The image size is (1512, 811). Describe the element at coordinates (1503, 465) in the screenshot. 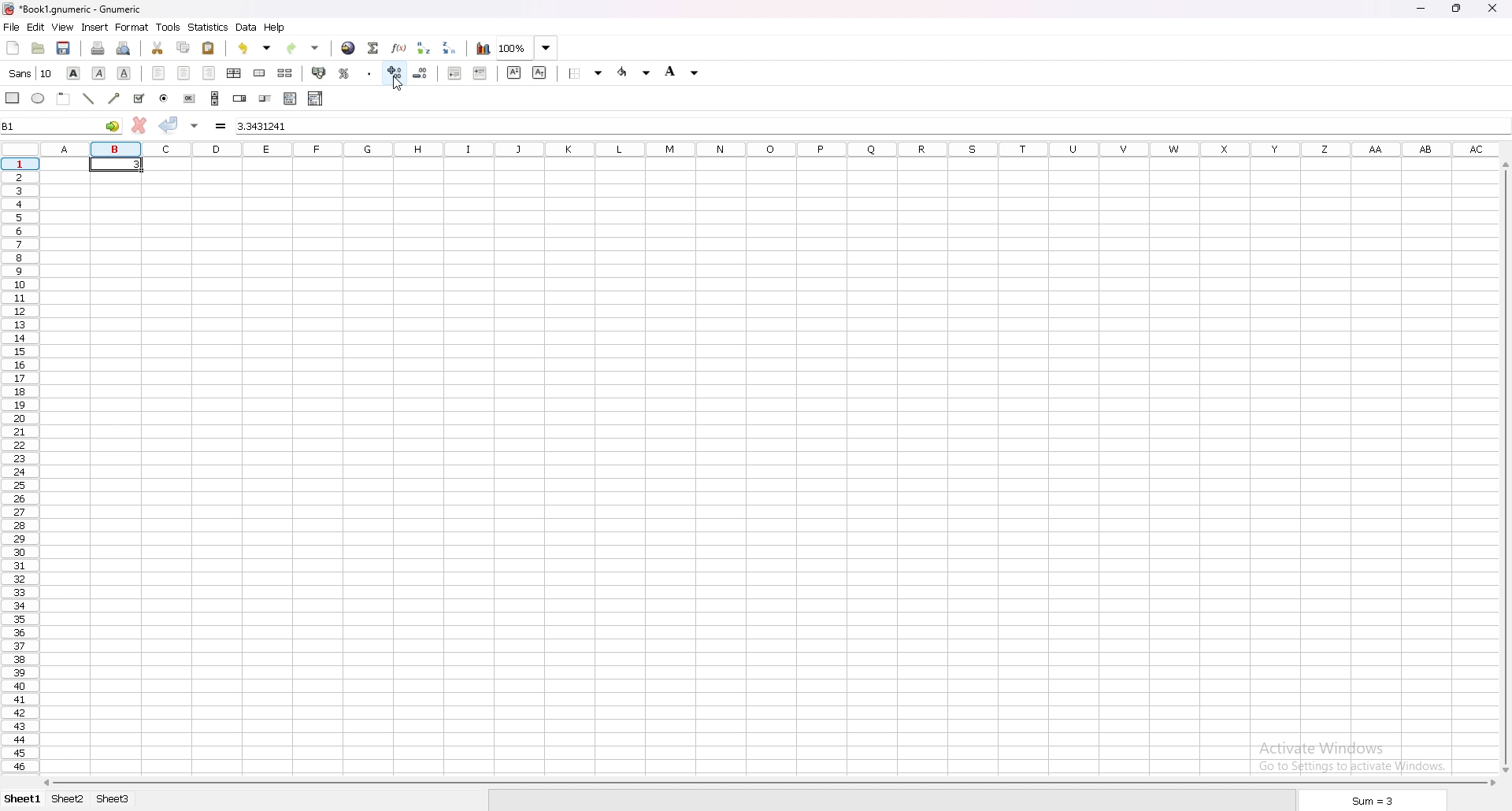

I see `scroll bar` at that location.